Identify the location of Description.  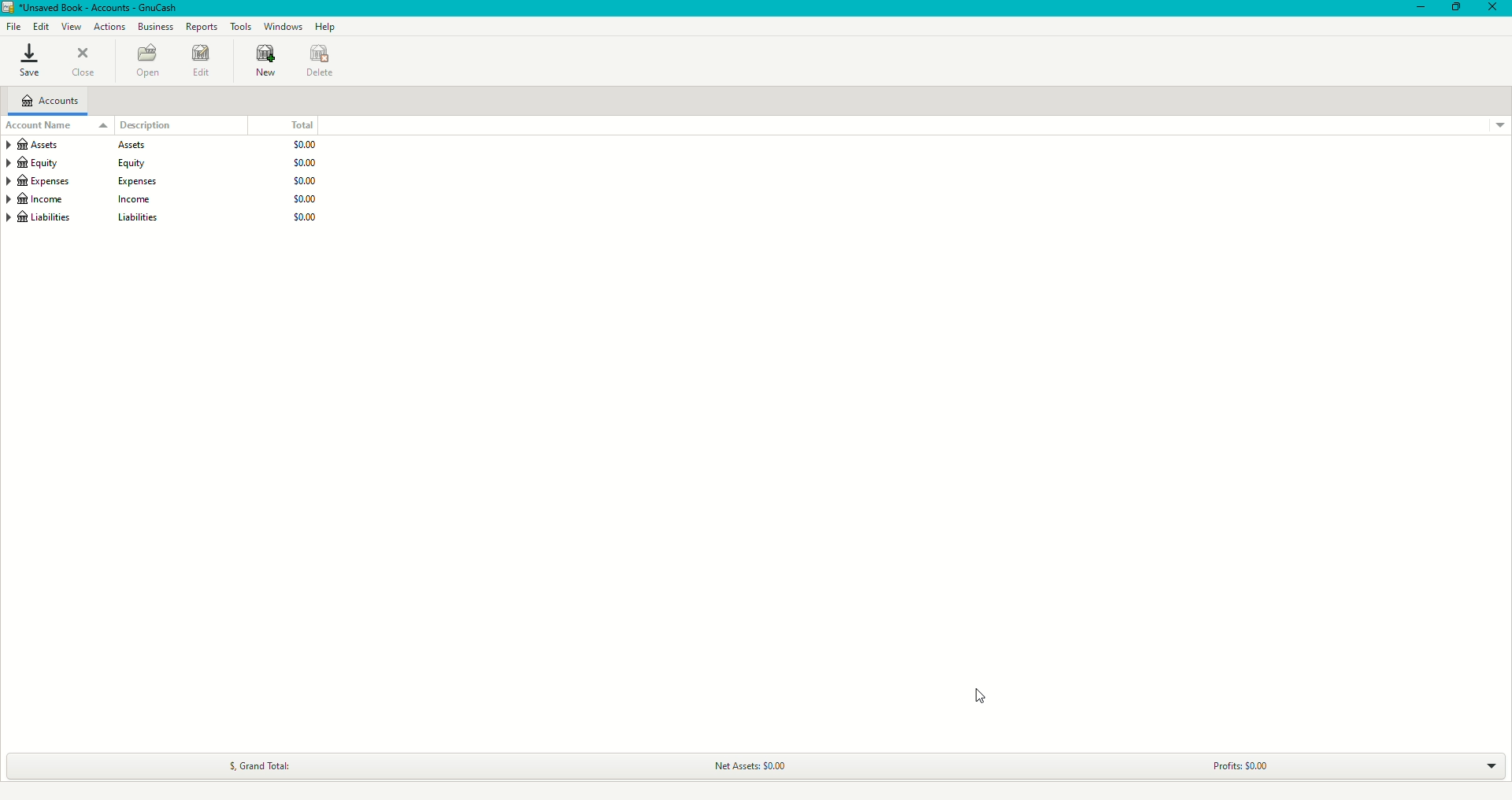
(137, 125).